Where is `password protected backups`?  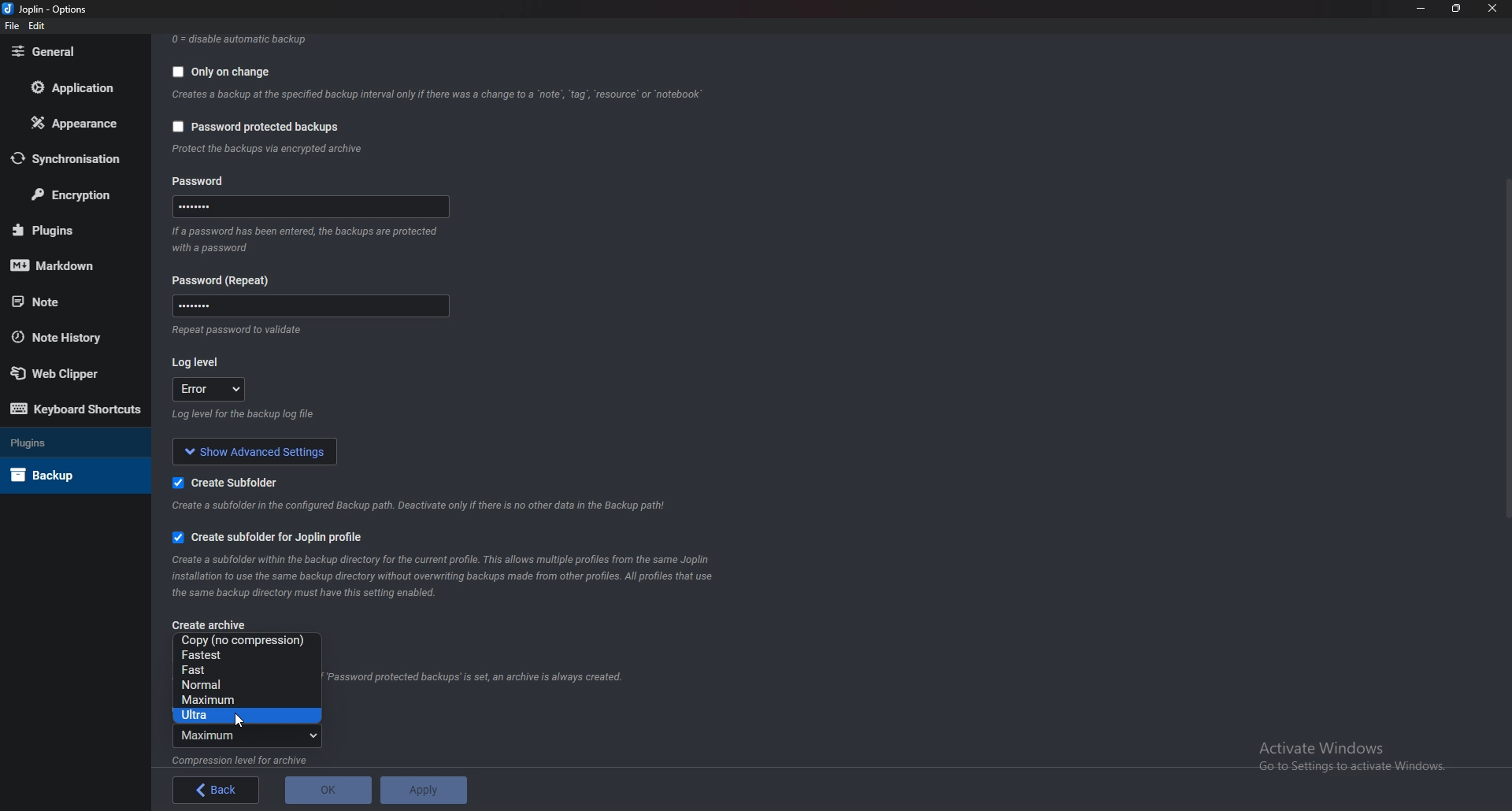 password protected backups is located at coordinates (257, 130).